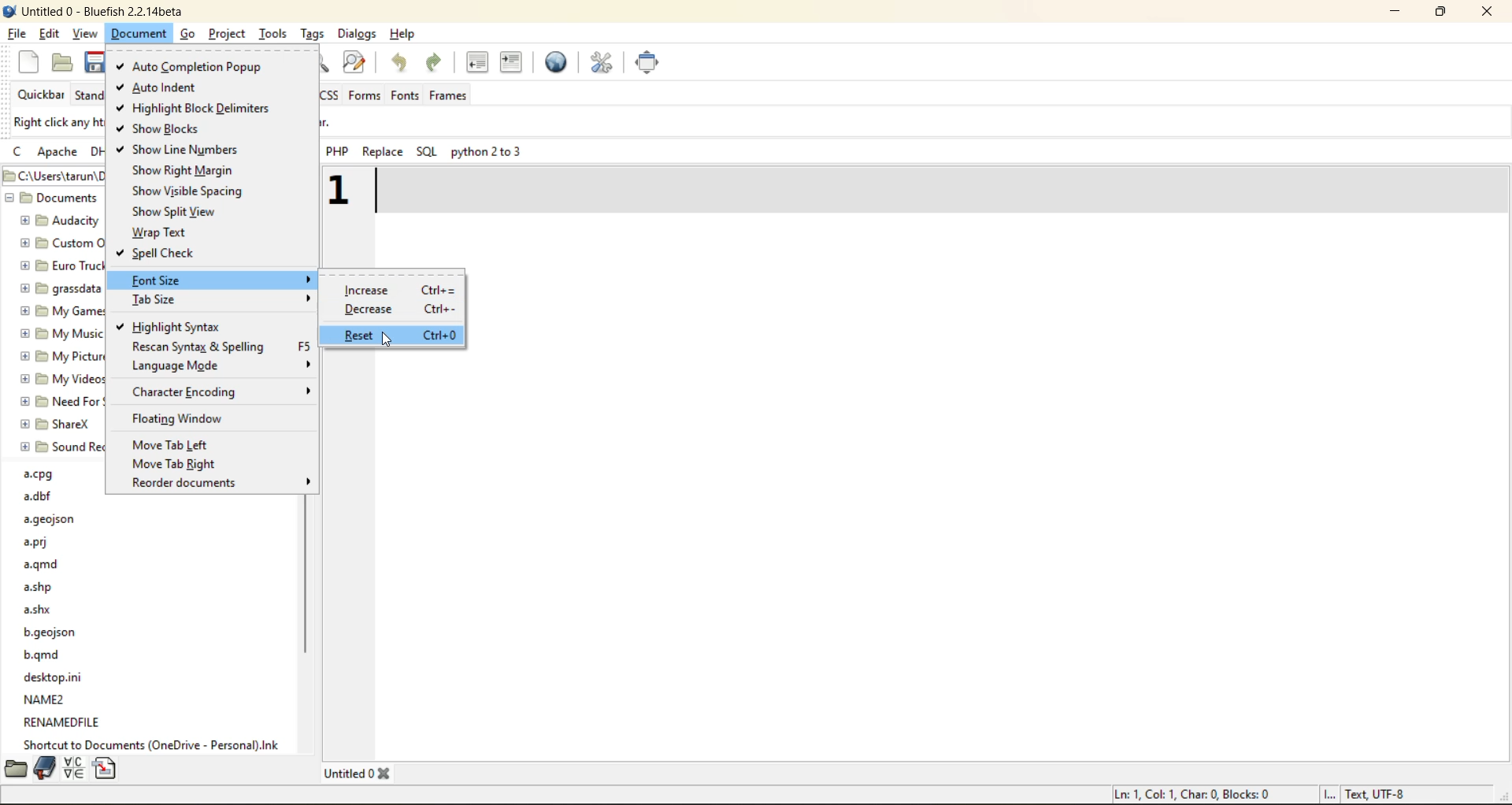 The width and height of the screenshot is (1512, 805). Describe the element at coordinates (515, 63) in the screenshot. I see `indent` at that location.